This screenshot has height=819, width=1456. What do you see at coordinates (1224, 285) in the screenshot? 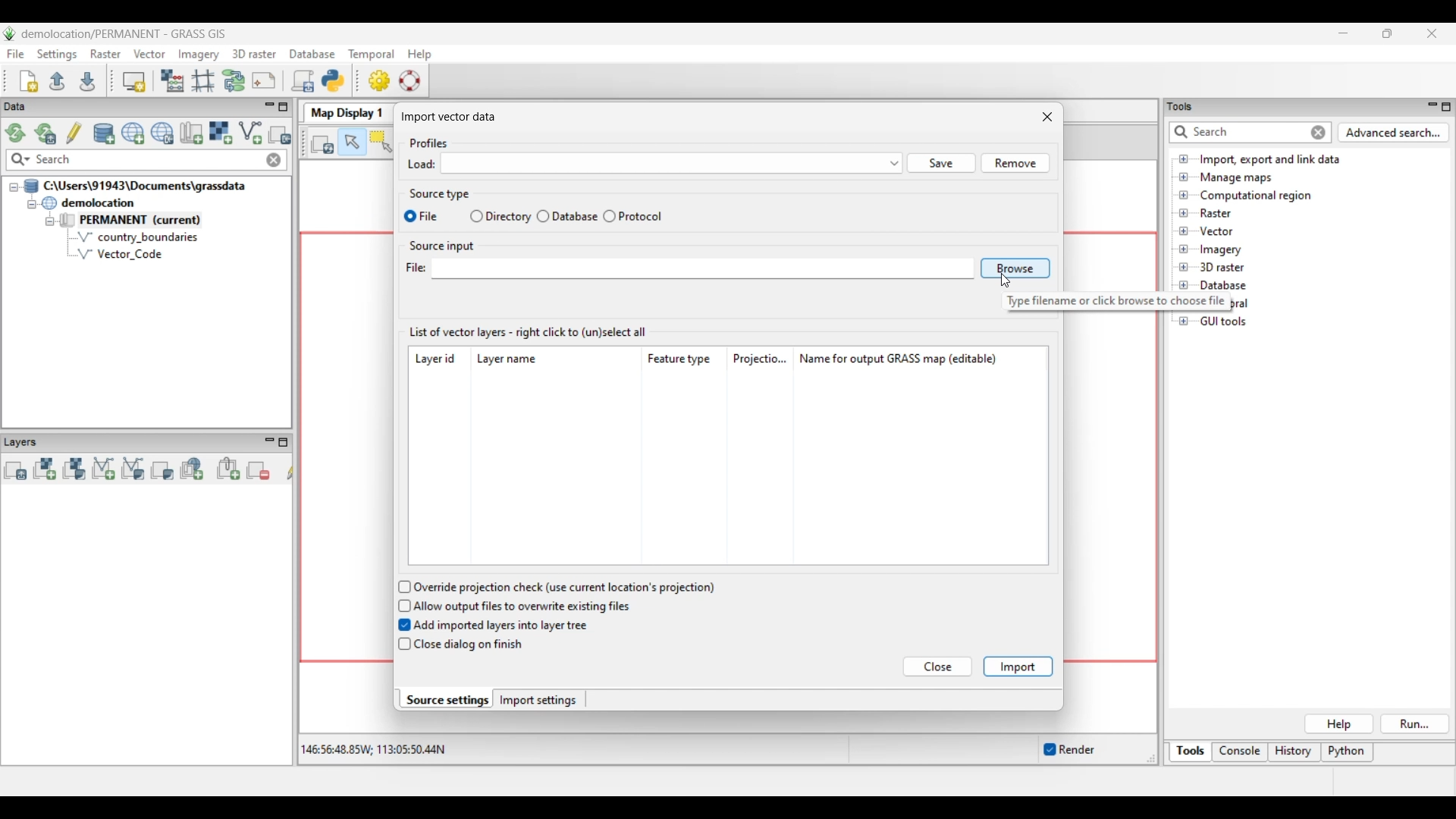
I see `Double click to see files under Database` at bounding box center [1224, 285].